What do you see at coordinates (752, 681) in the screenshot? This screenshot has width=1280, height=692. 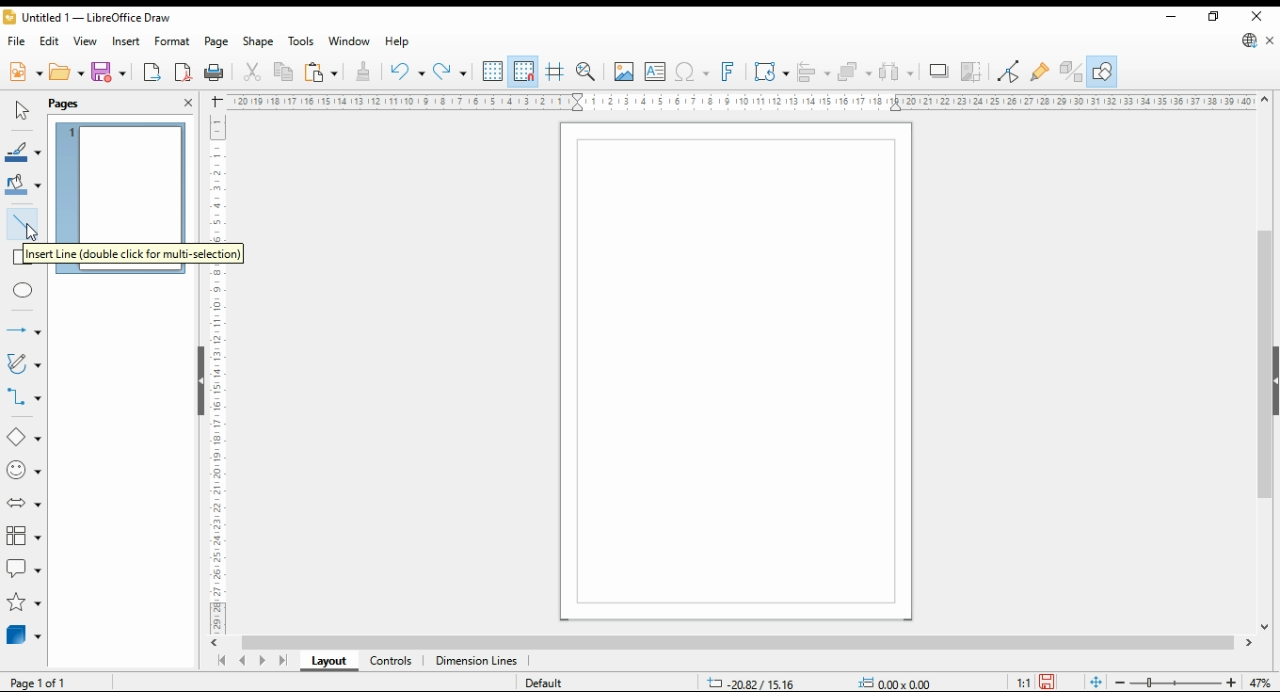 I see `screen size` at bounding box center [752, 681].